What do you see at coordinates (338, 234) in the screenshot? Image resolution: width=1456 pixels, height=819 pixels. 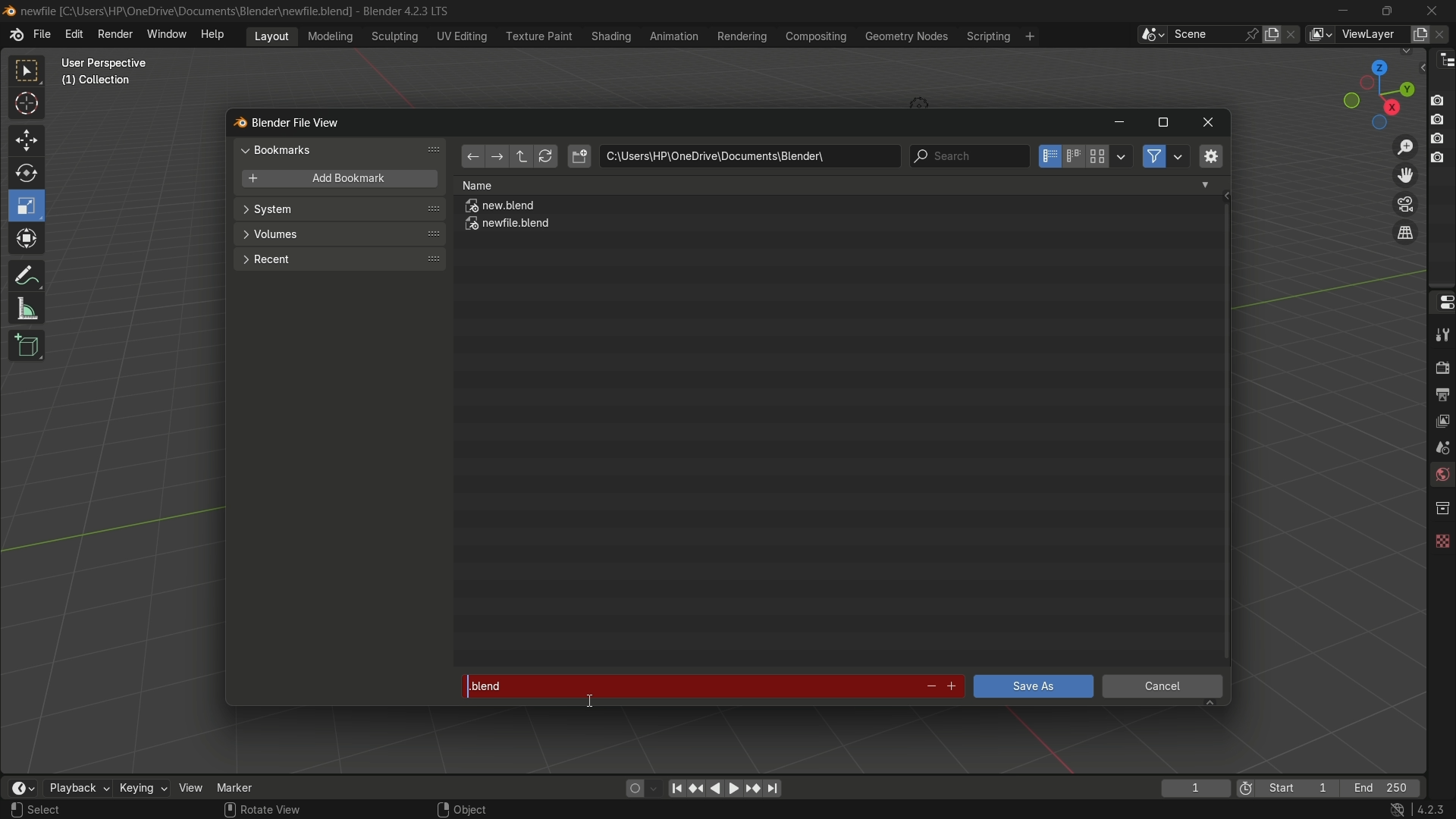 I see `volumes` at bounding box center [338, 234].